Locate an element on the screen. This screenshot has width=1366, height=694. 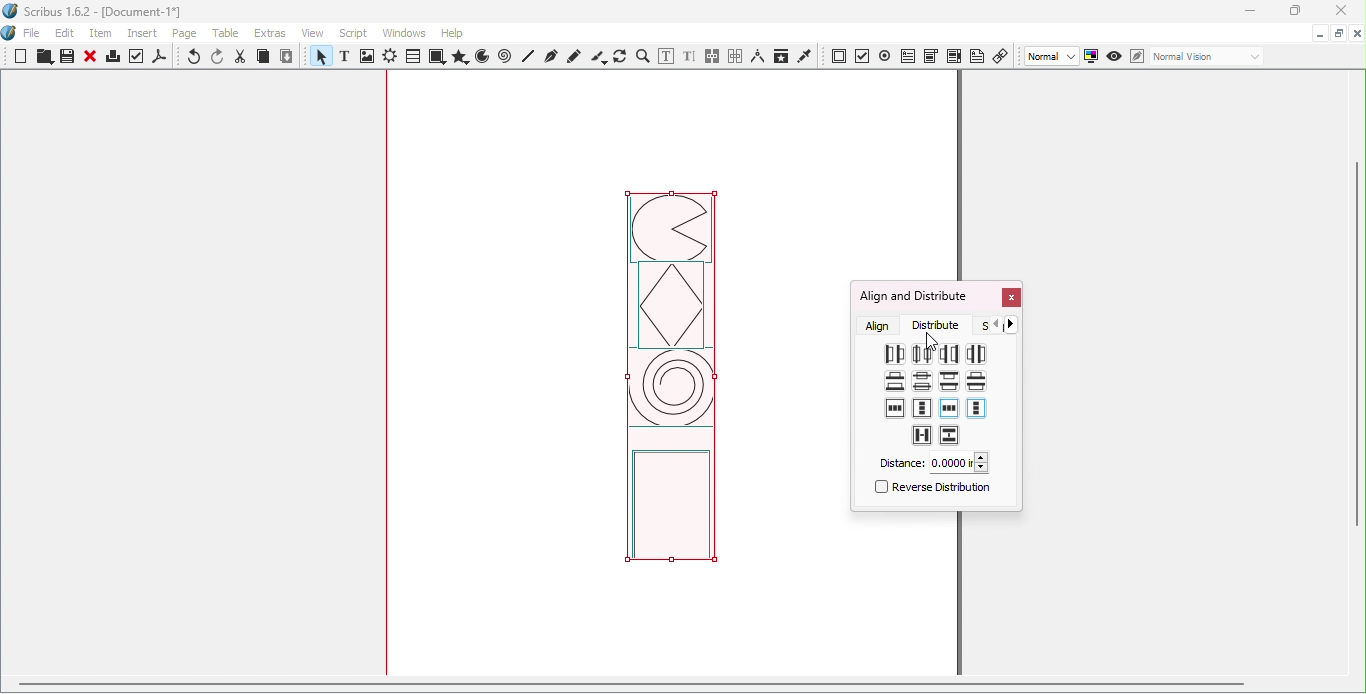
Redo is located at coordinates (219, 57).